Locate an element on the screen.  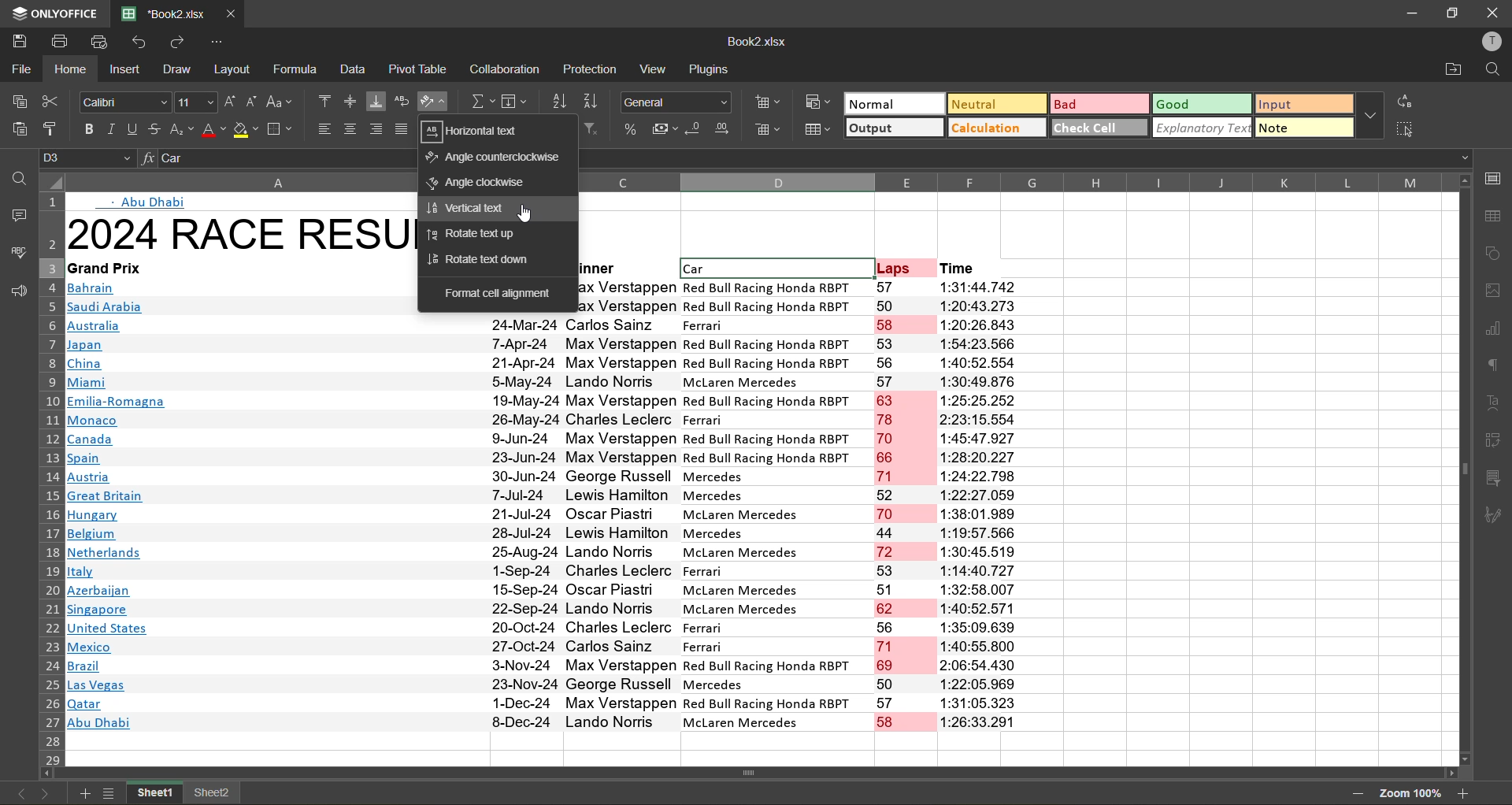
italic is located at coordinates (114, 129).